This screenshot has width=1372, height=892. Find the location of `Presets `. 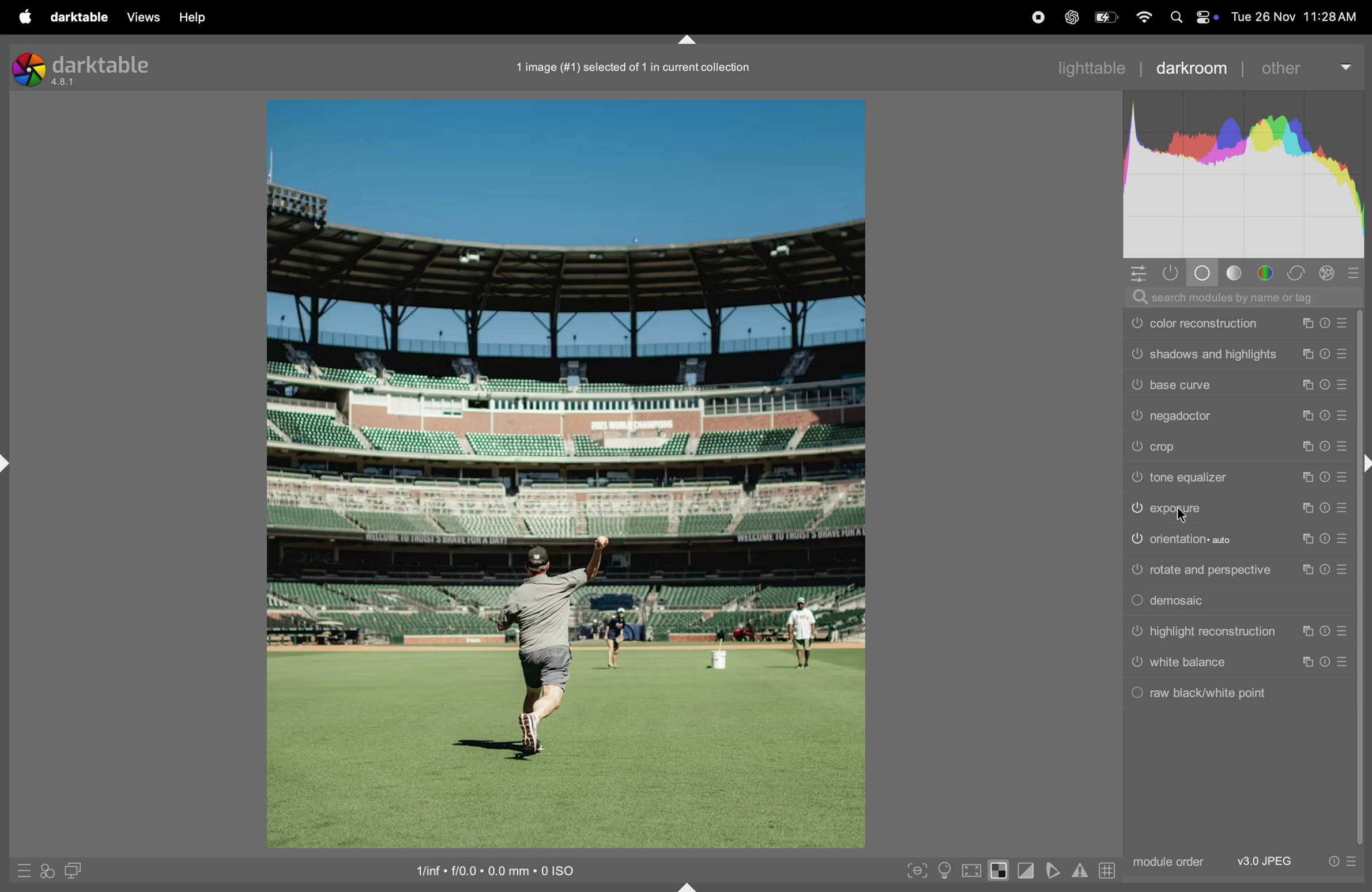

Presets  is located at coordinates (1344, 661).